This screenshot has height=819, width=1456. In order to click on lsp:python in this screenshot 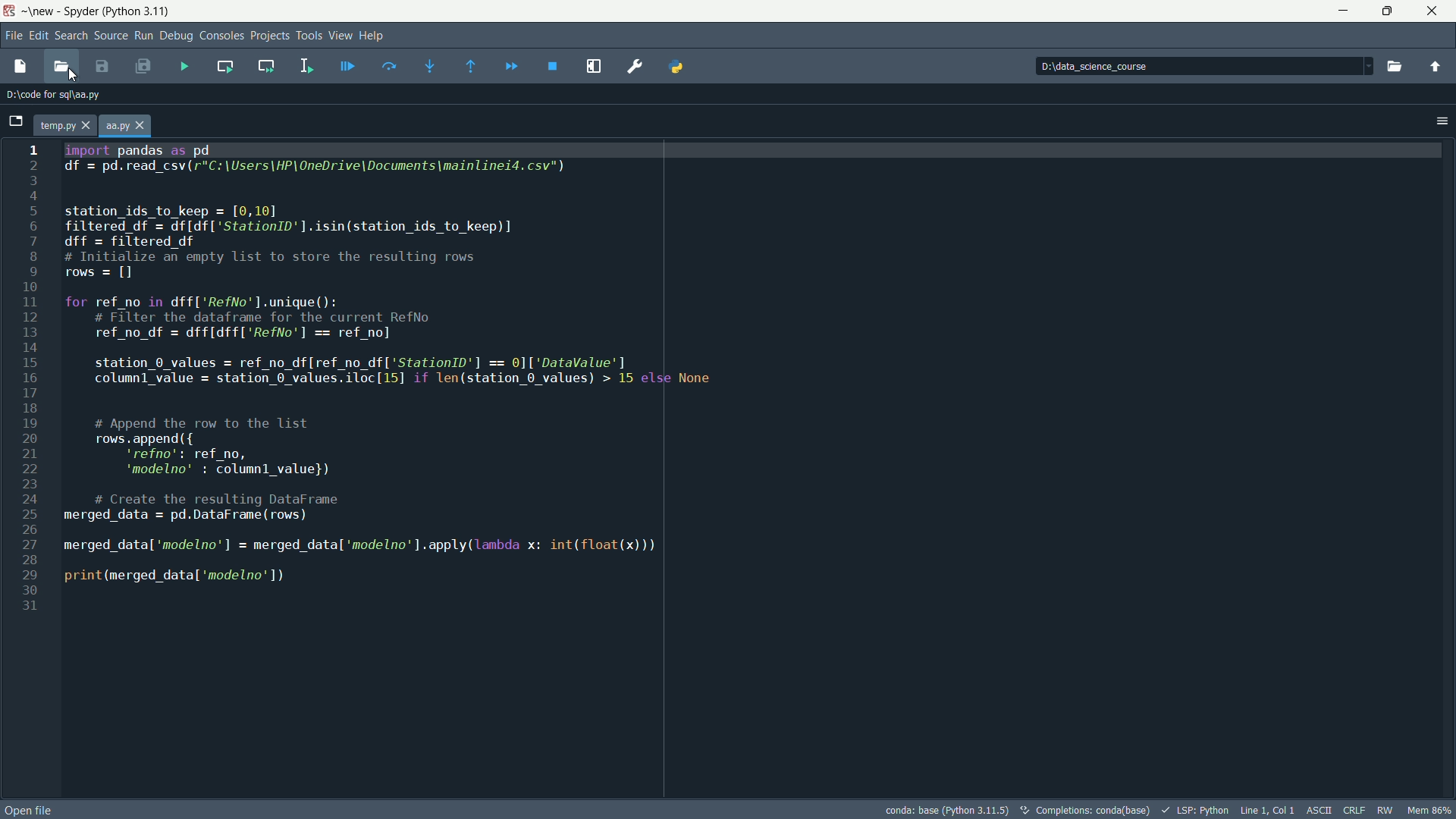, I will do `click(1194, 809)`.